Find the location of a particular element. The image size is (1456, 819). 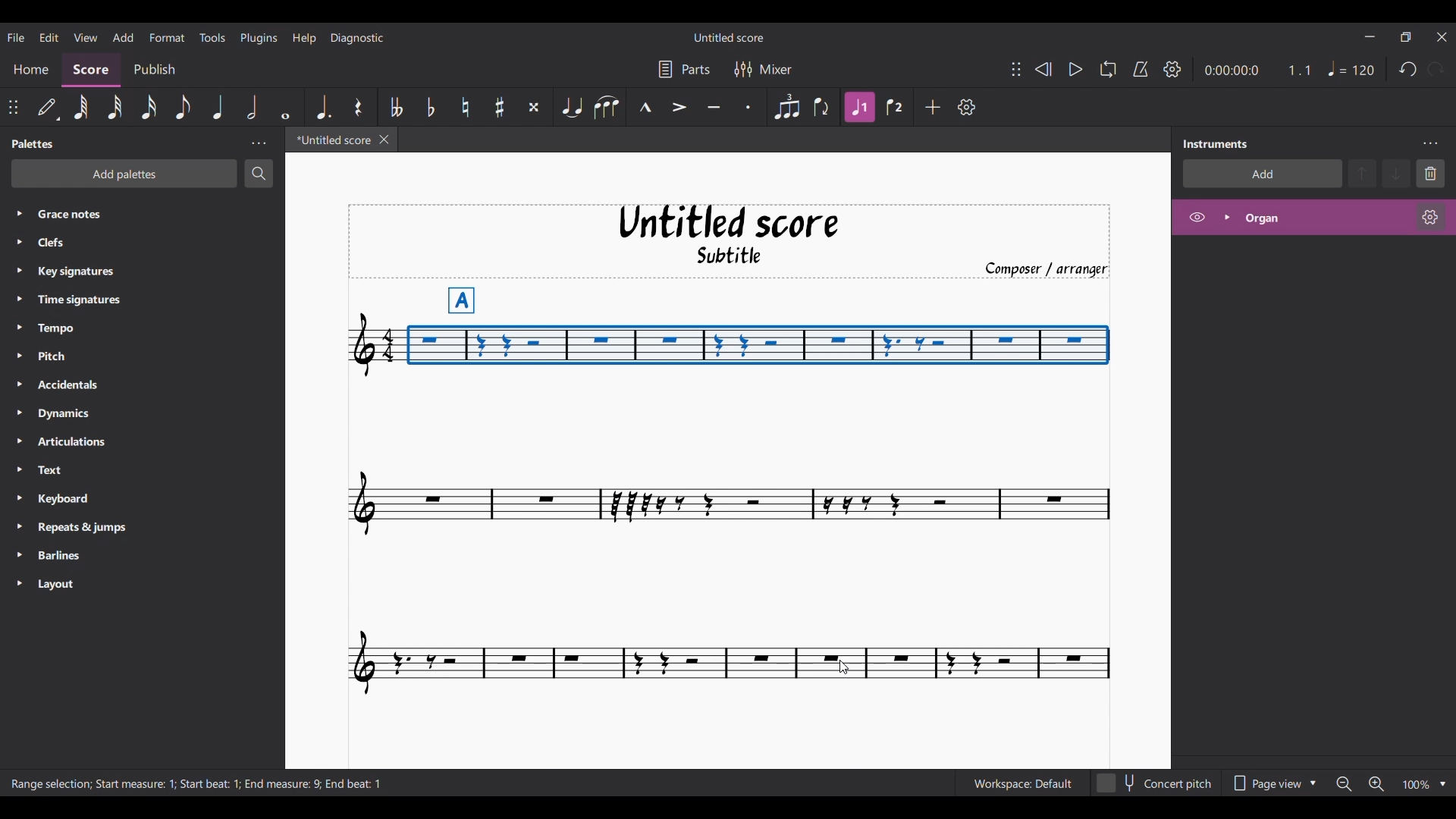

Search is located at coordinates (259, 173).